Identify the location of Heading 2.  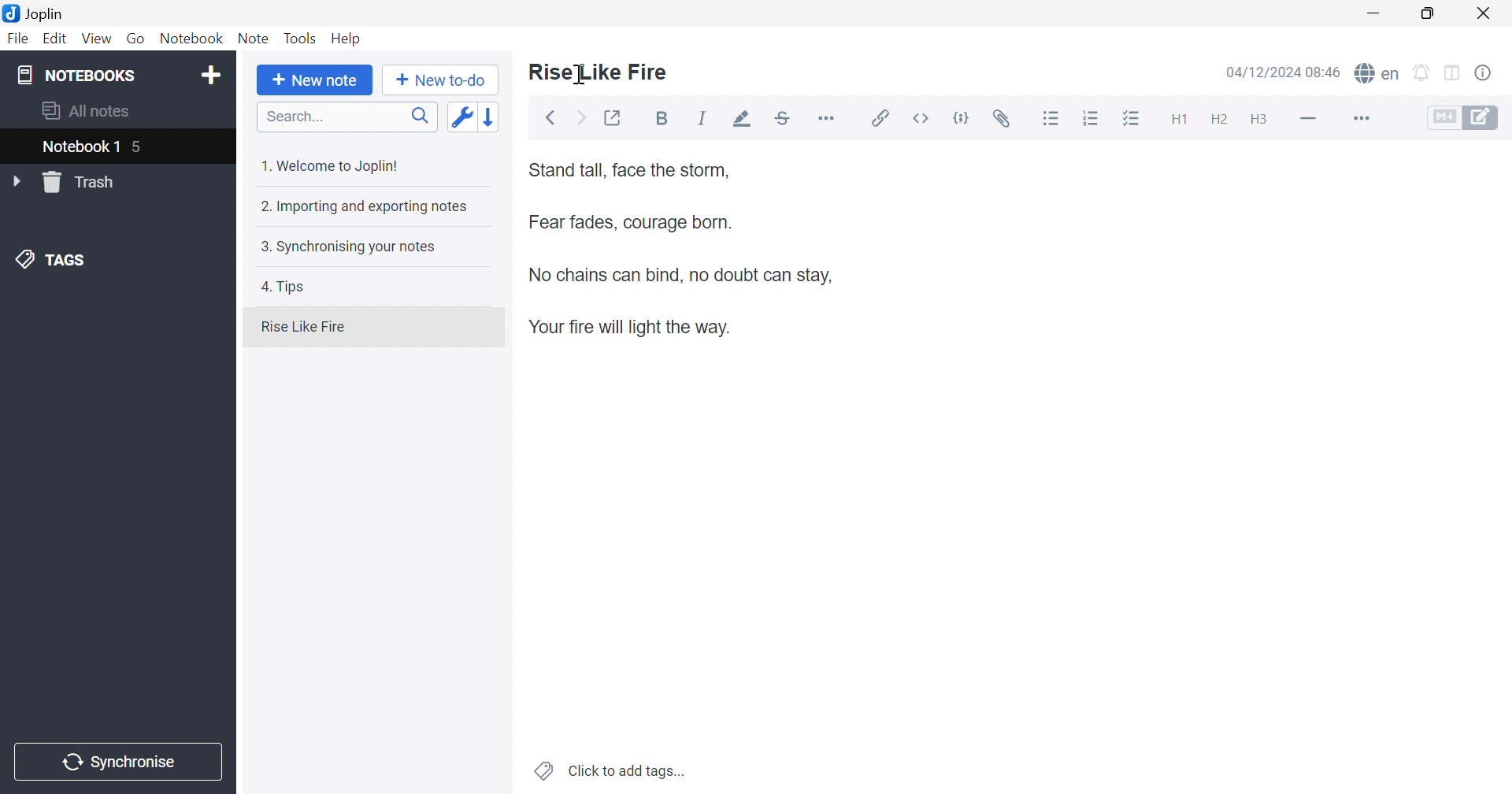
(1220, 120).